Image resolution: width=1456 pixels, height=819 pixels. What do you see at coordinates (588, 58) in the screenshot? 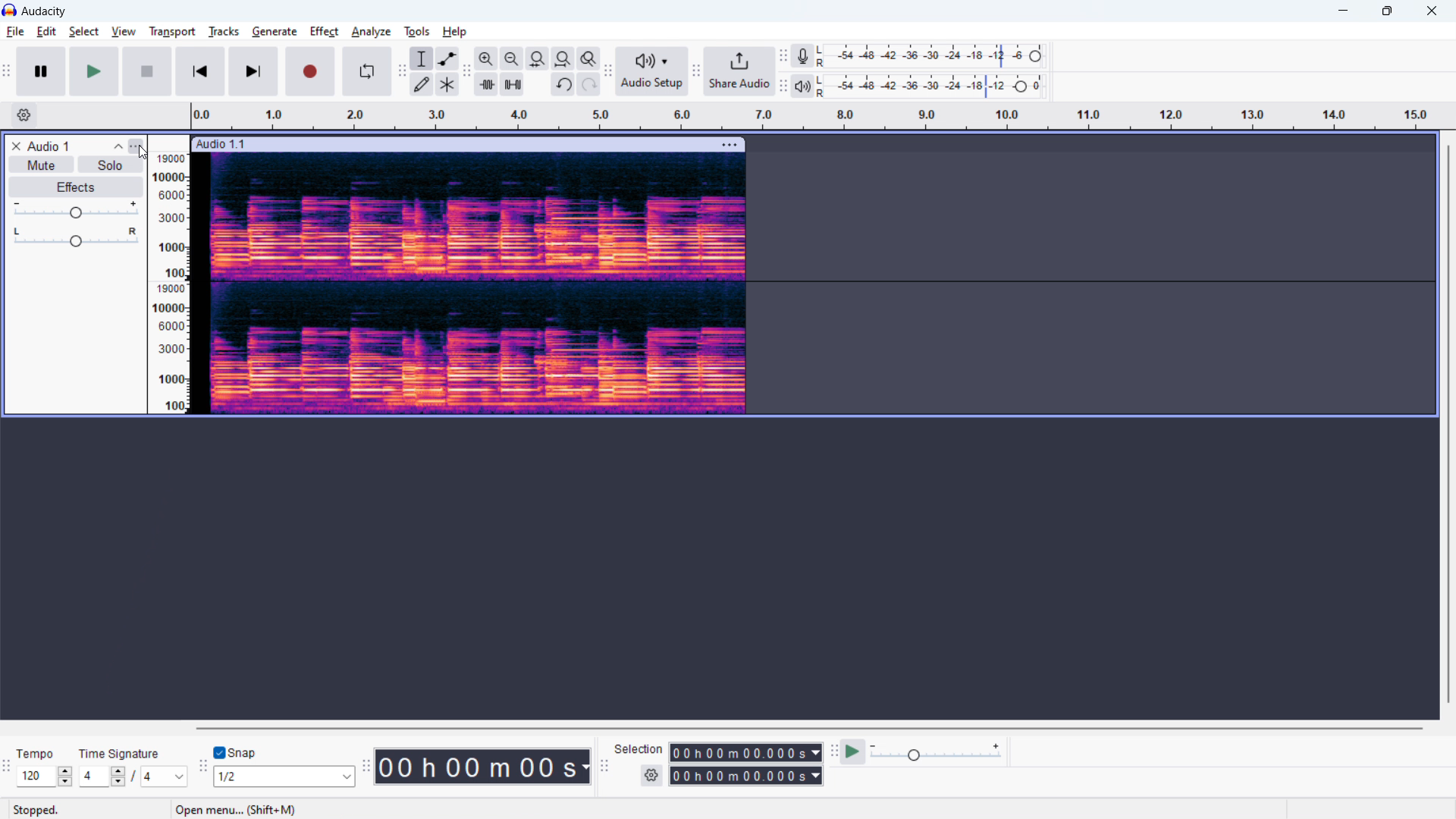
I see `toggle zoom` at bounding box center [588, 58].